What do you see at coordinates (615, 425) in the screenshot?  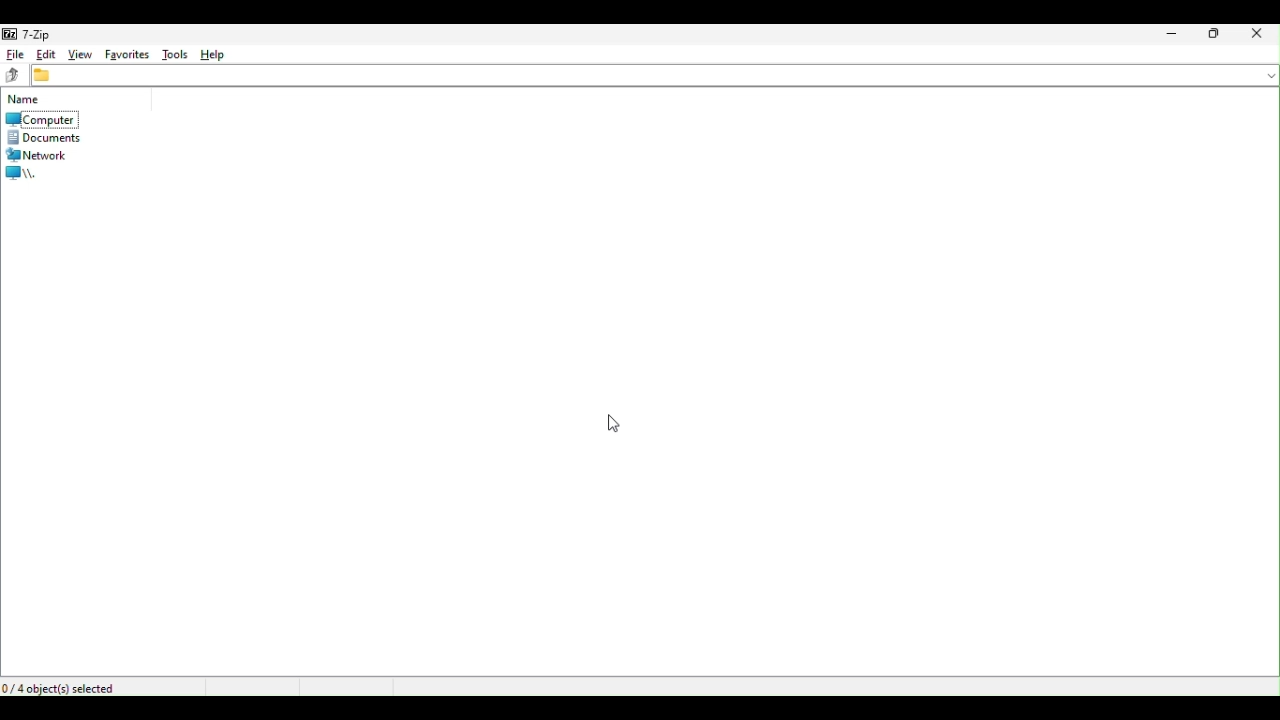 I see `cursor` at bounding box center [615, 425].